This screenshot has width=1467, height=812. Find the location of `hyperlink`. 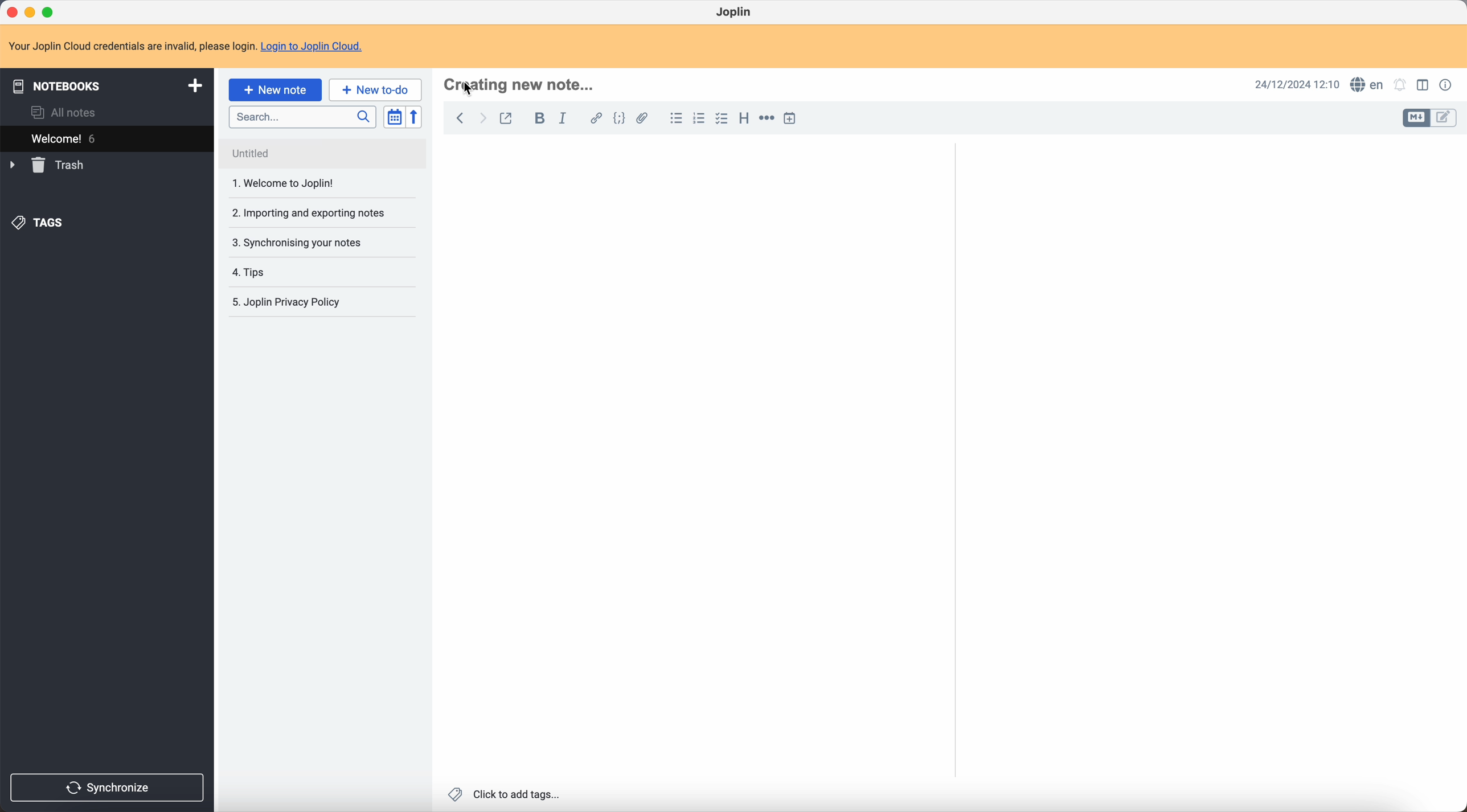

hyperlink is located at coordinates (593, 118).